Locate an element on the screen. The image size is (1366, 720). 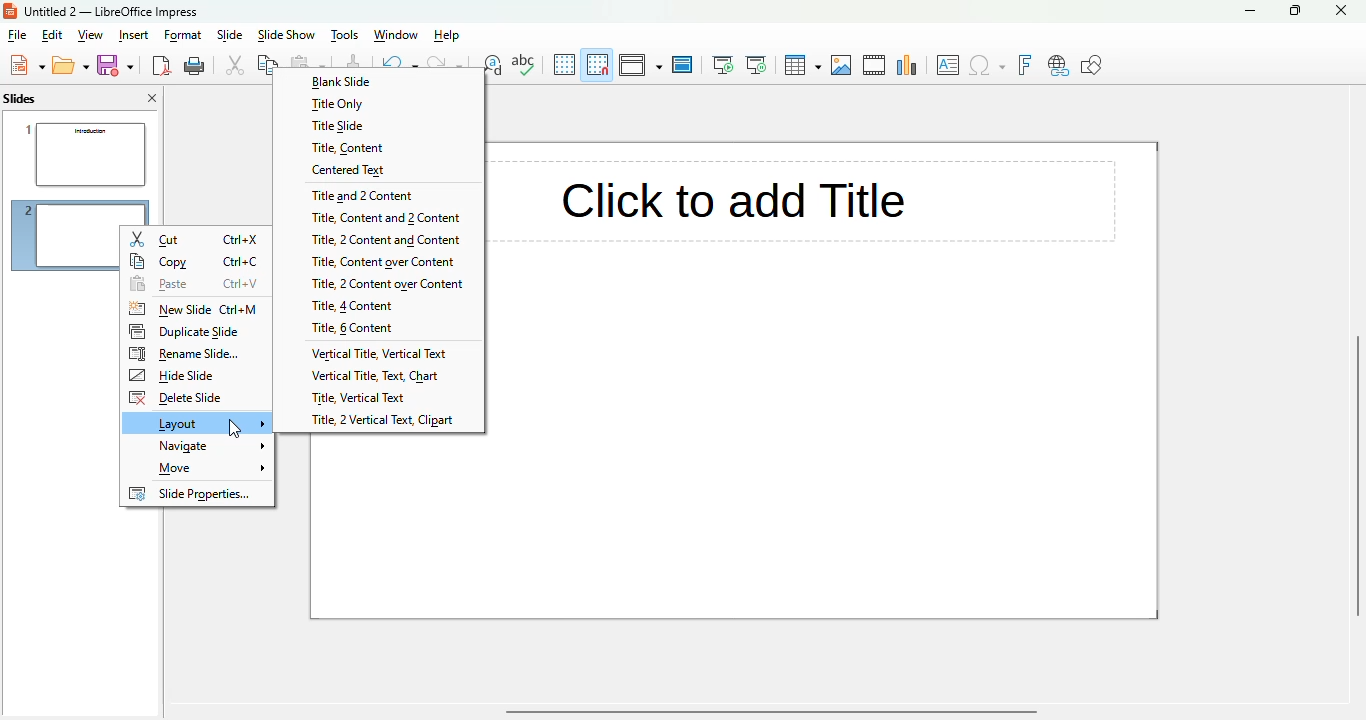
insert image is located at coordinates (843, 65).